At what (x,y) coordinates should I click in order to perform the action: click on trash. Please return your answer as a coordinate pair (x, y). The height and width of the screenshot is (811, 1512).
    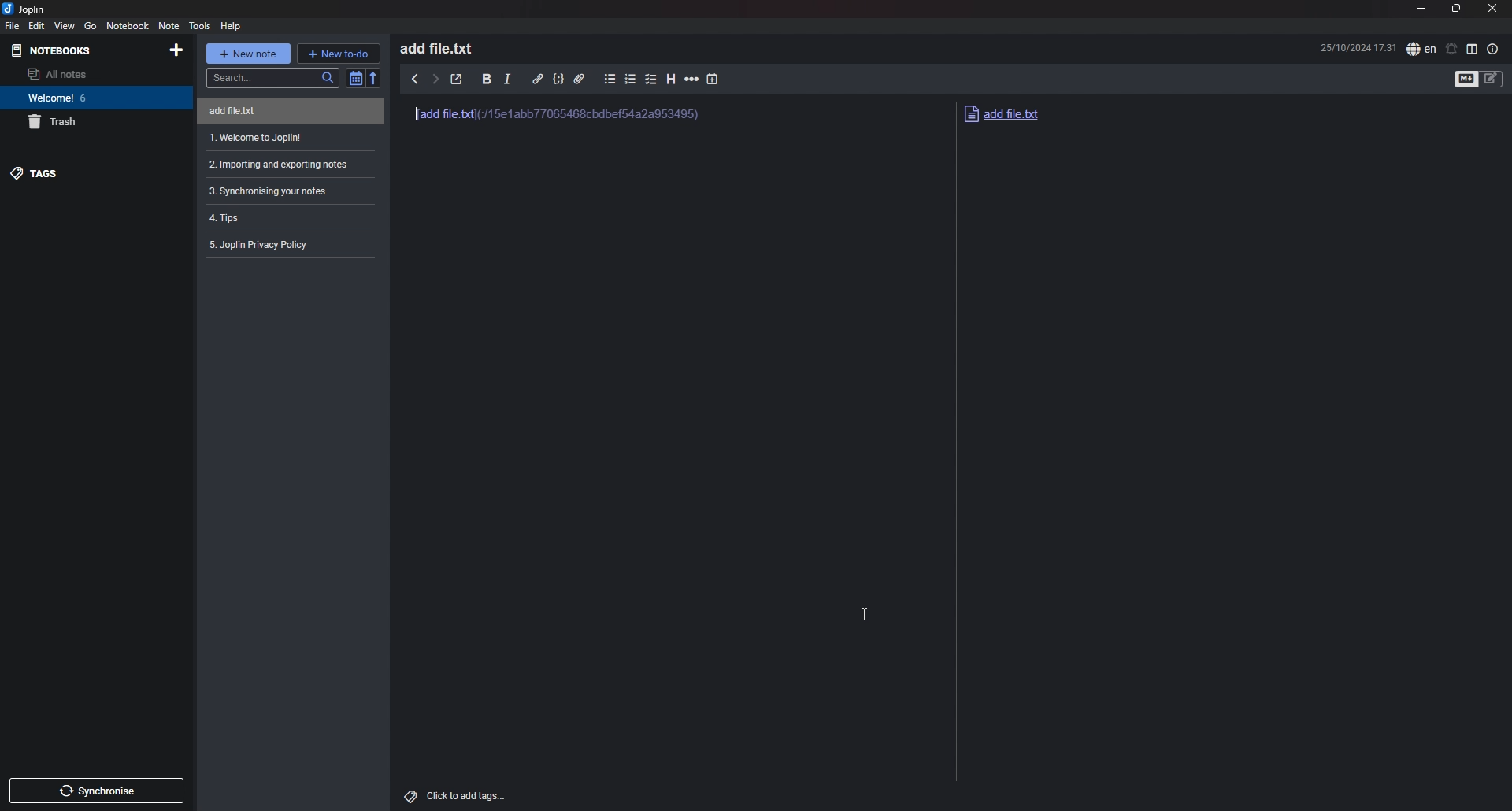
    Looking at the image, I should click on (87, 120).